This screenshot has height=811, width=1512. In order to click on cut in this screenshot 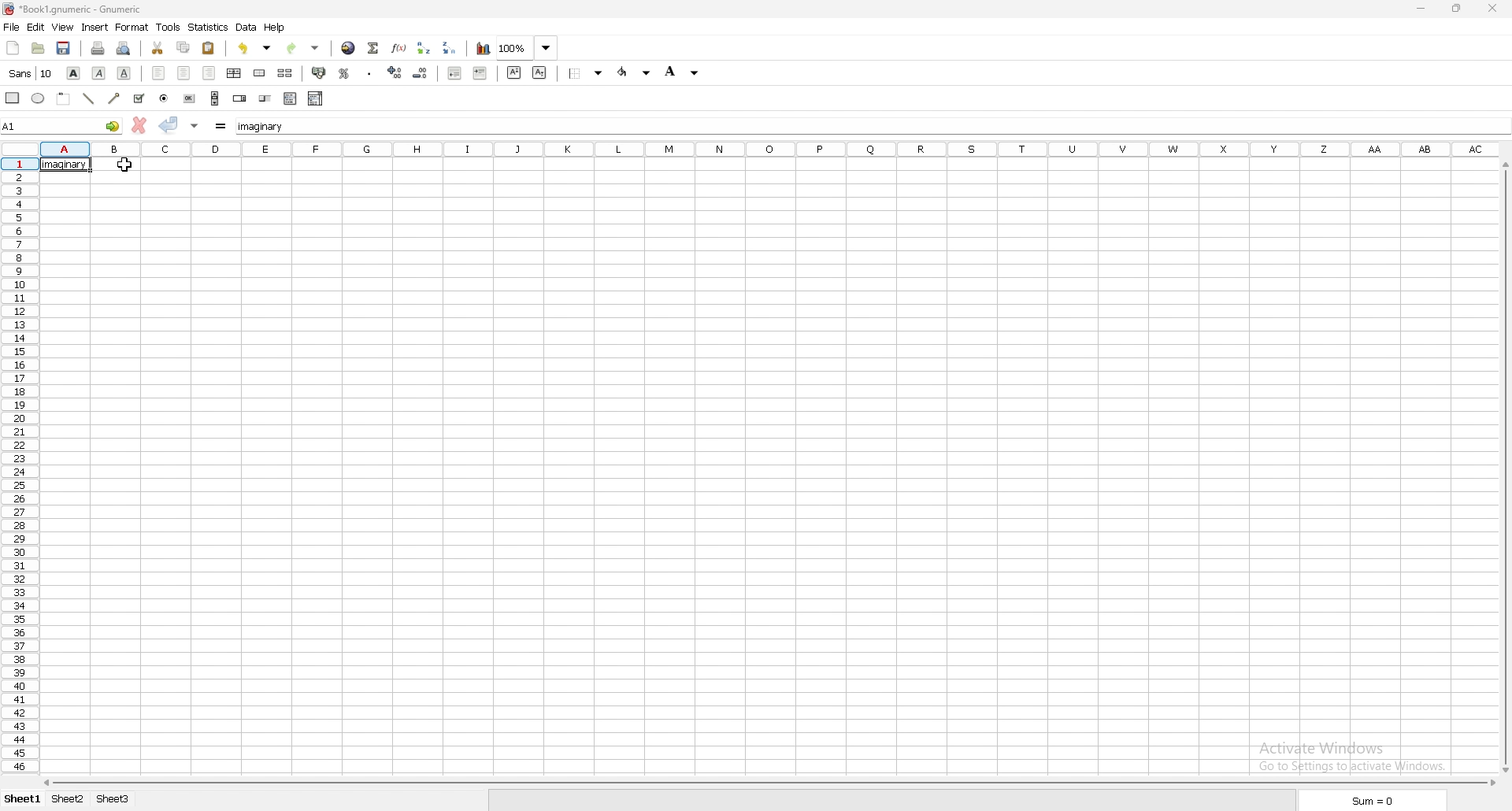, I will do `click(157, 48)`.